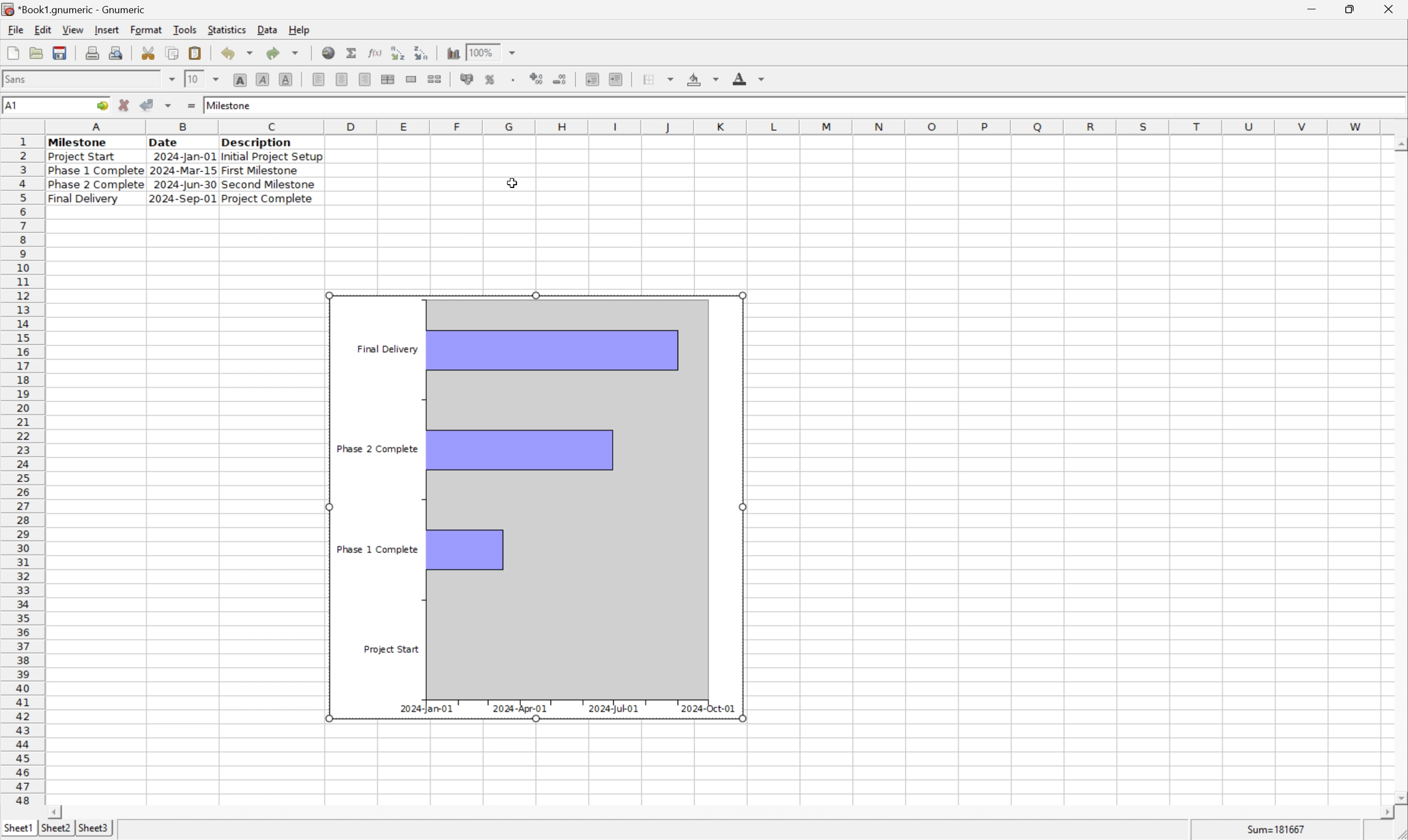 This screenshot has height=840, width=1408. I want to click on restore down, so click(1354, 9).